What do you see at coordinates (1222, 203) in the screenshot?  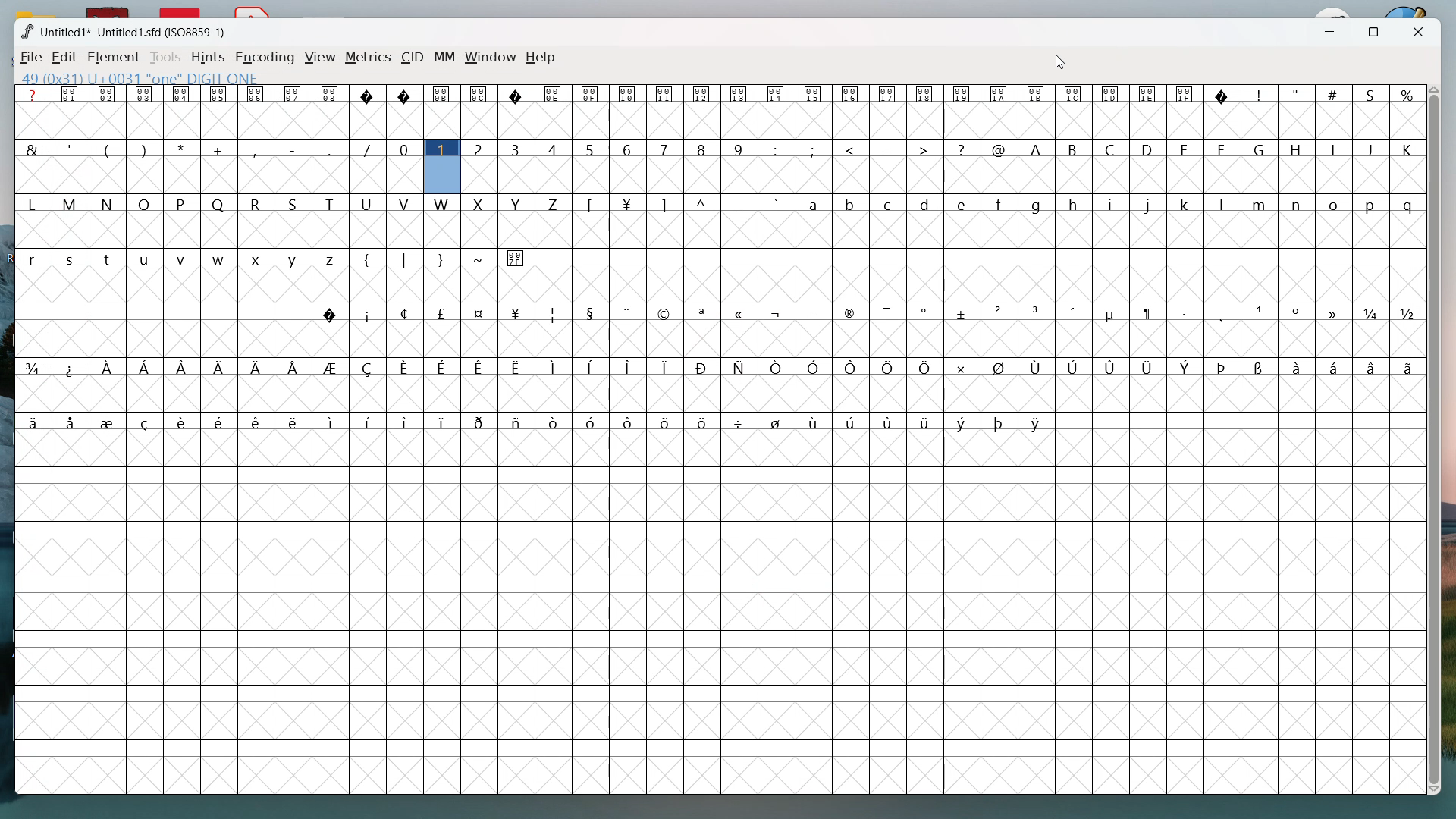 I see `l` at bounding box center [1222, 203].